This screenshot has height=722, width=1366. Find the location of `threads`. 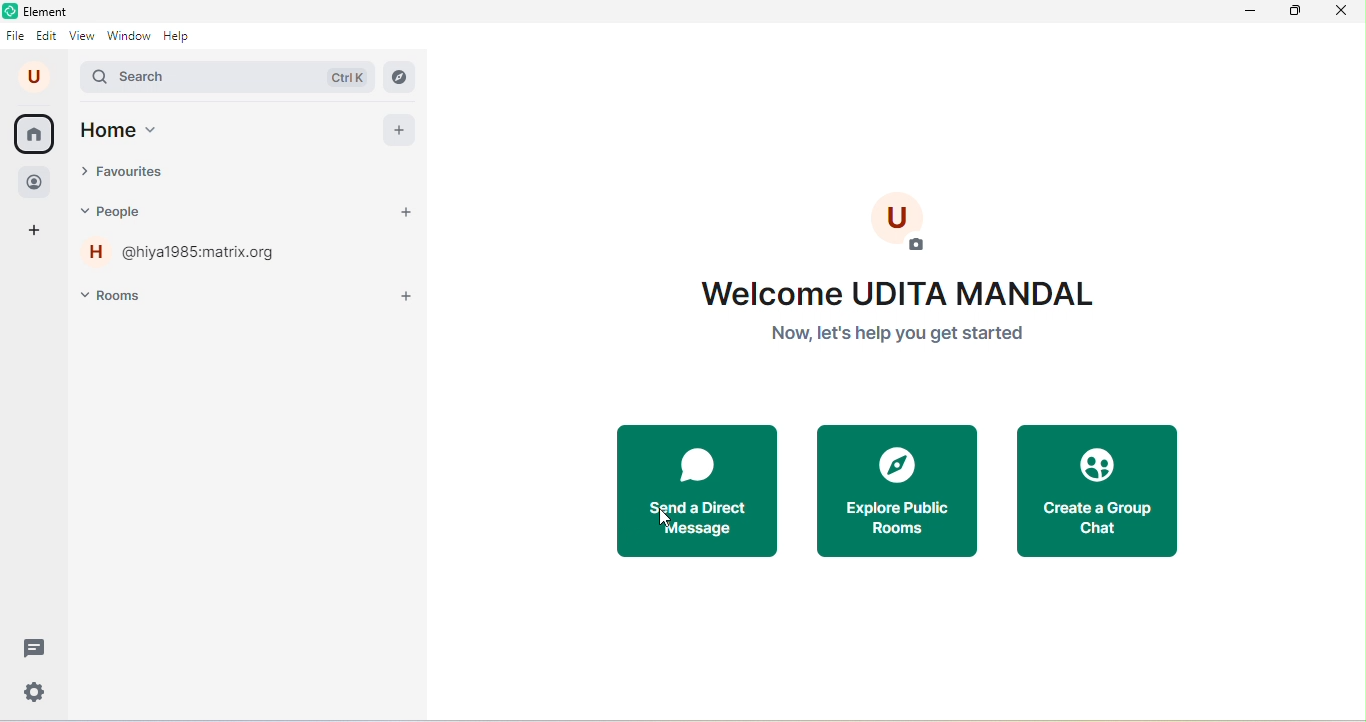

threads is located at coordinates (36, 647).